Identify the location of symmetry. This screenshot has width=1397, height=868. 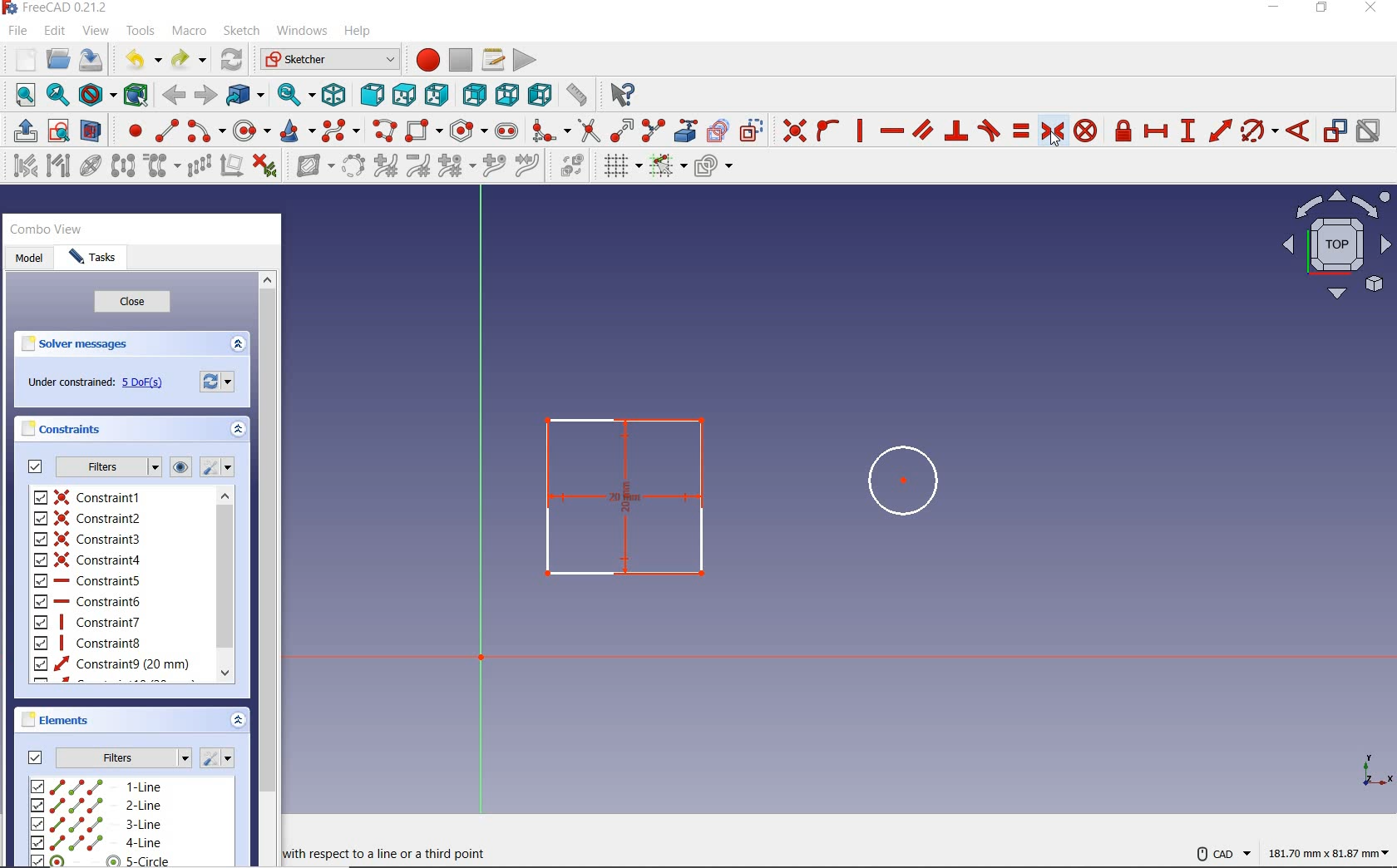
(124, 168).